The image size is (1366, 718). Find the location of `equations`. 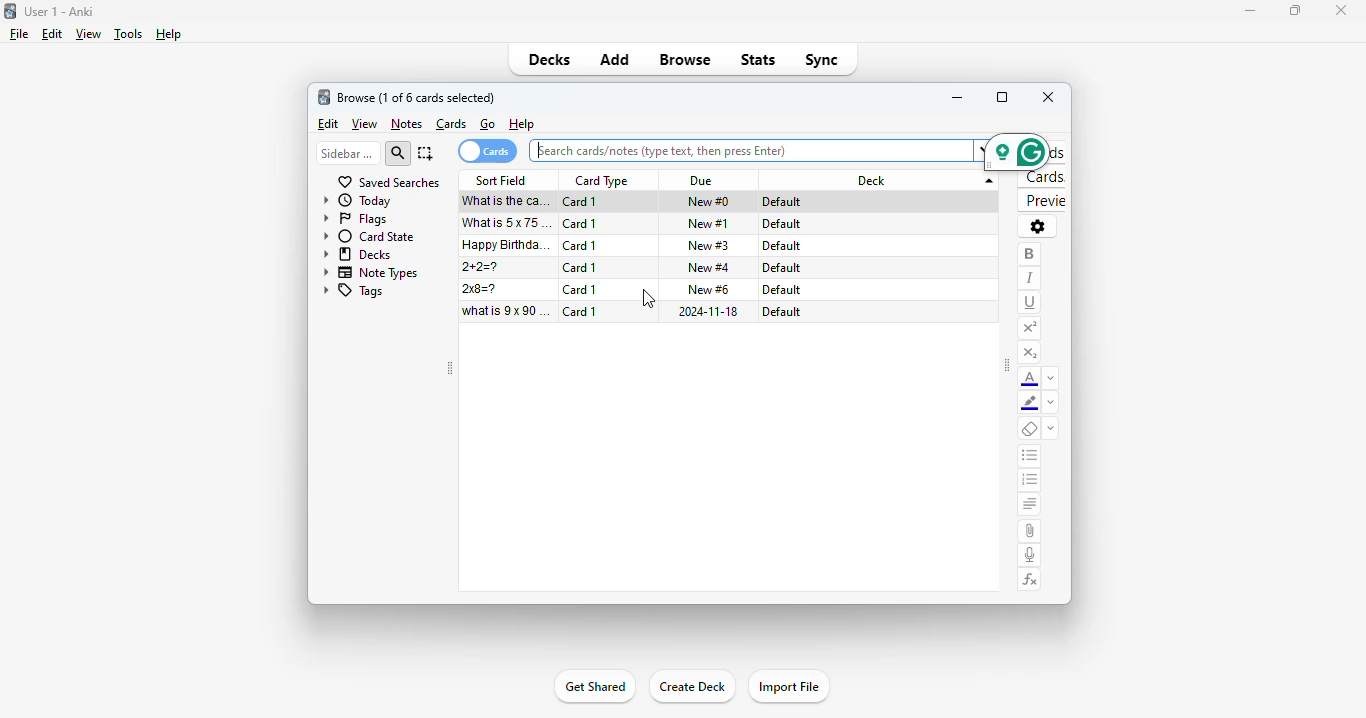

equations is located at coordinates (1031, 580).